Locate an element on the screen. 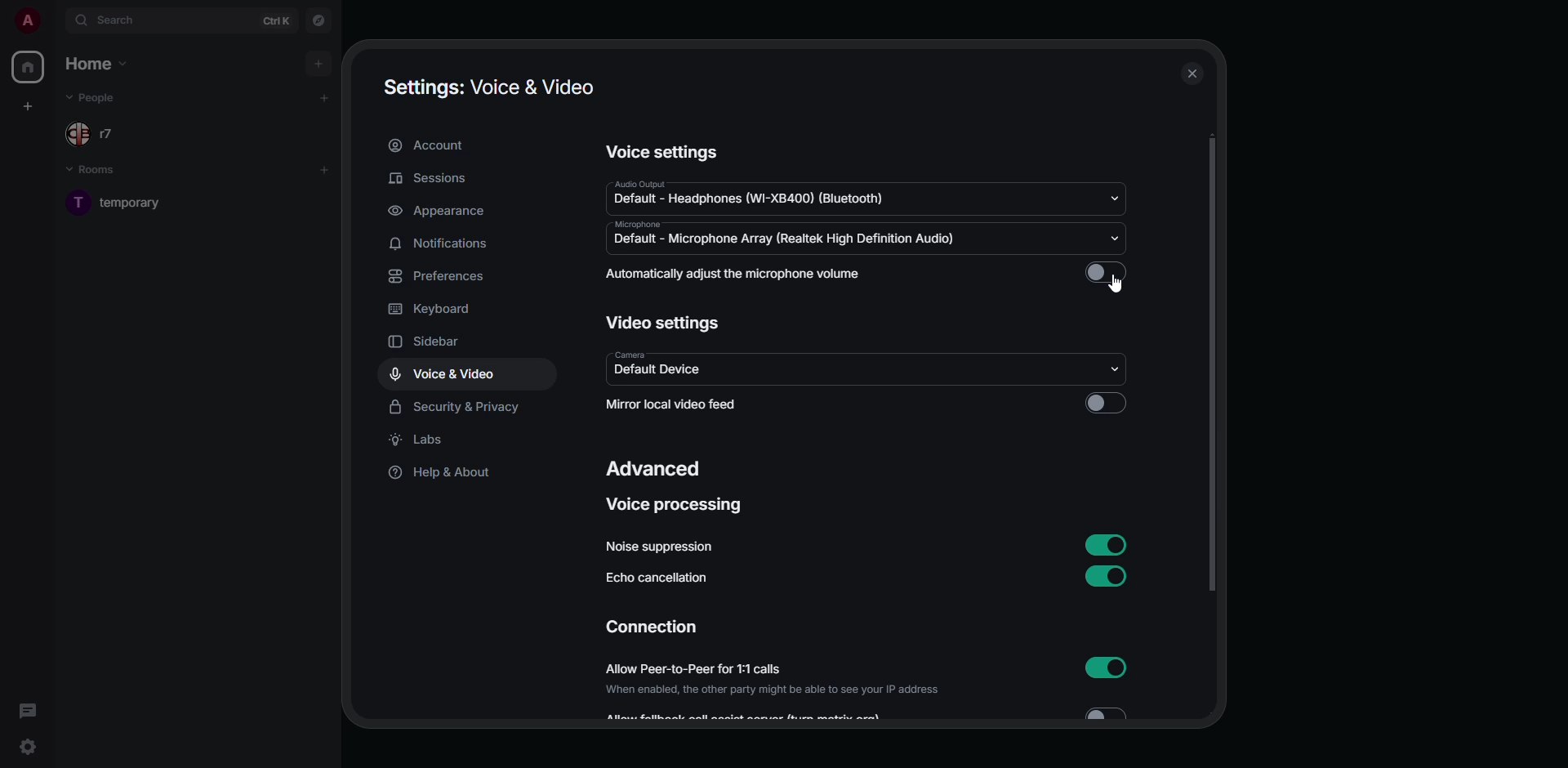 The image size is (1568, 768). allow peer to peer for 1:1 calls is located at coordinates (773, 680).